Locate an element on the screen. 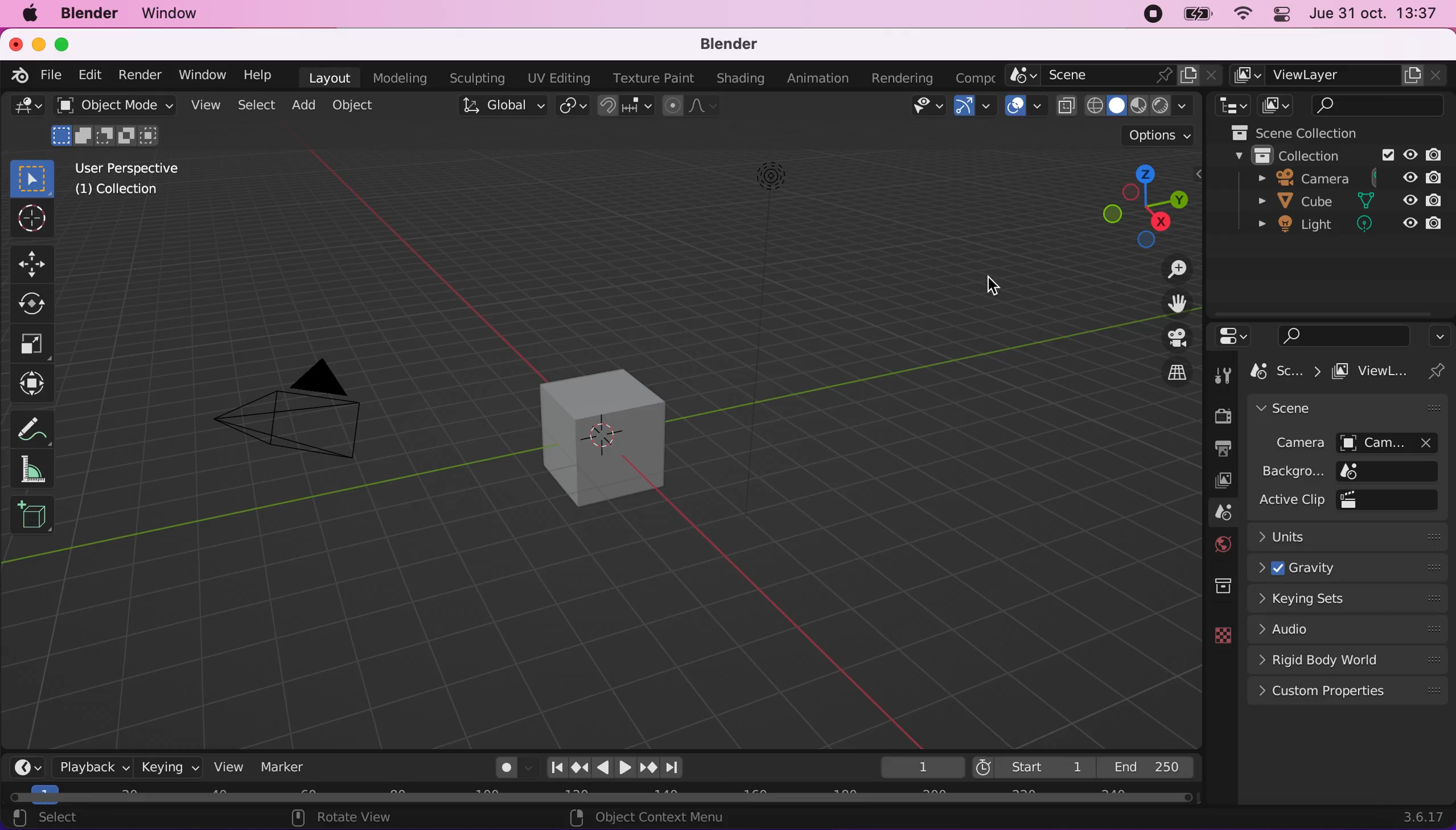 This screenshot has width=1456, height=830. measure is located at coordinates (37, 471).